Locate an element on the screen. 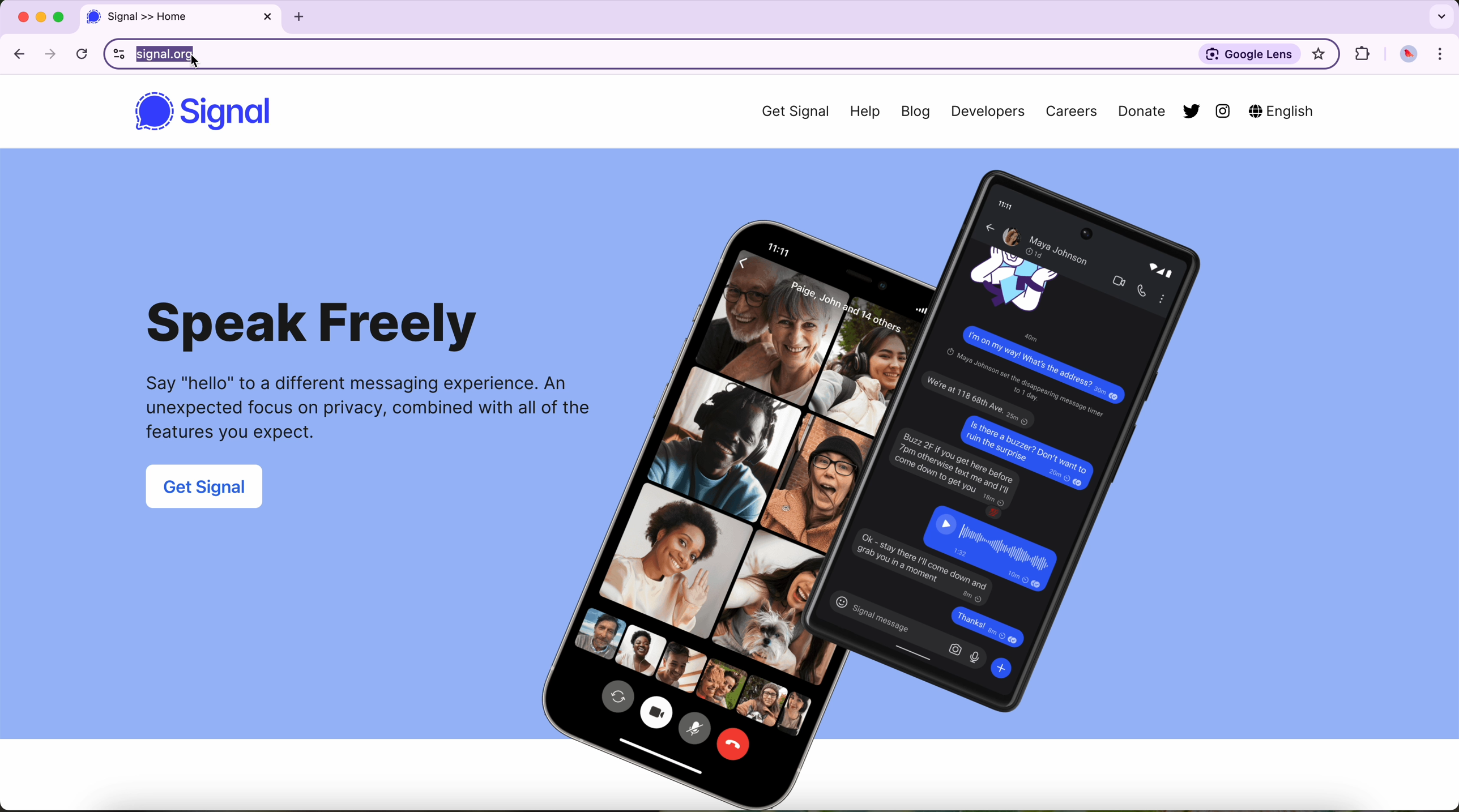 The width and height of the screenshot is (1459, 812). highlight is located at coordinates (1319, 55).